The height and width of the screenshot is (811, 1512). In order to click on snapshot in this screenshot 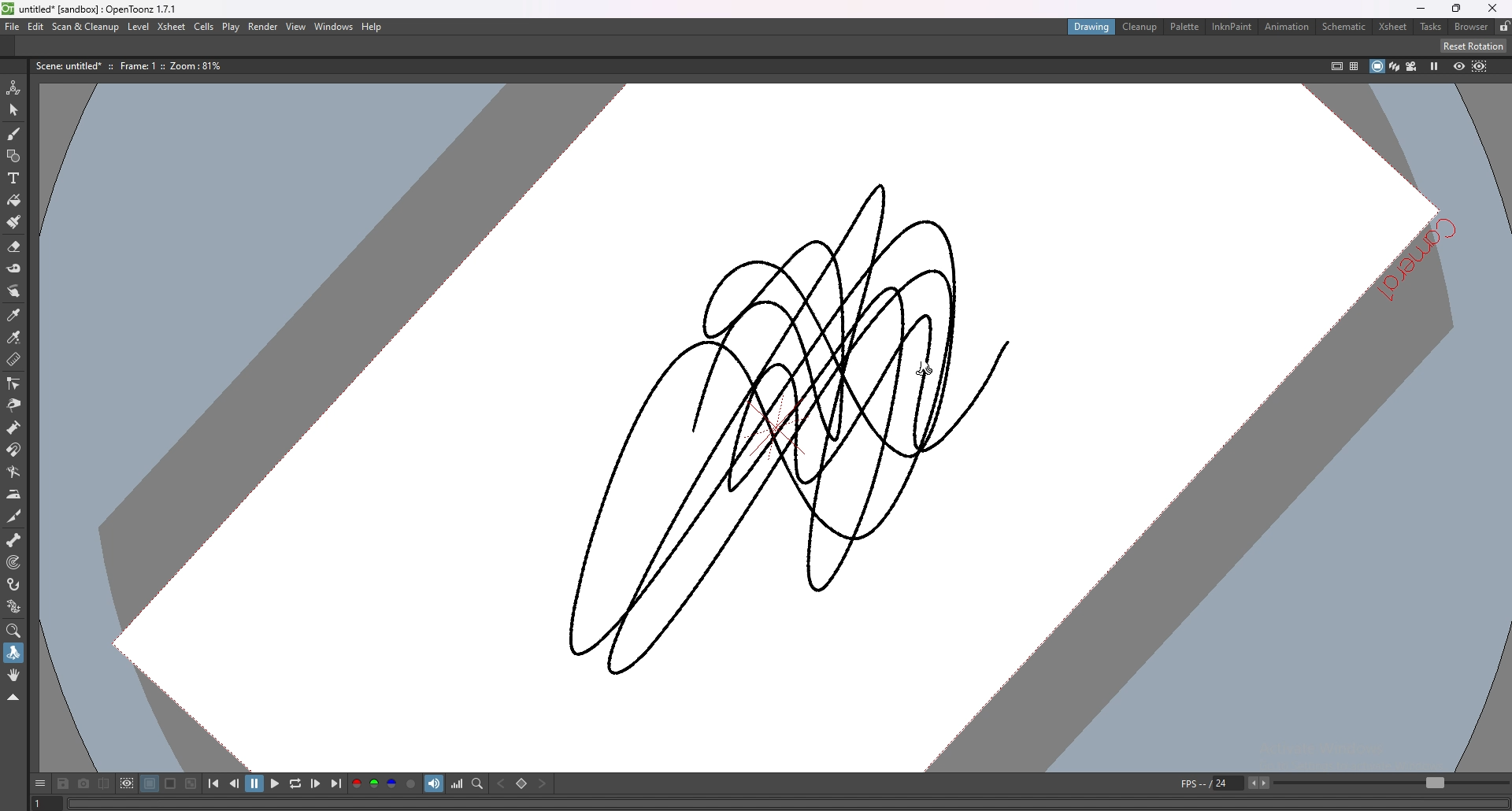, I will do `click(83, 784)`.